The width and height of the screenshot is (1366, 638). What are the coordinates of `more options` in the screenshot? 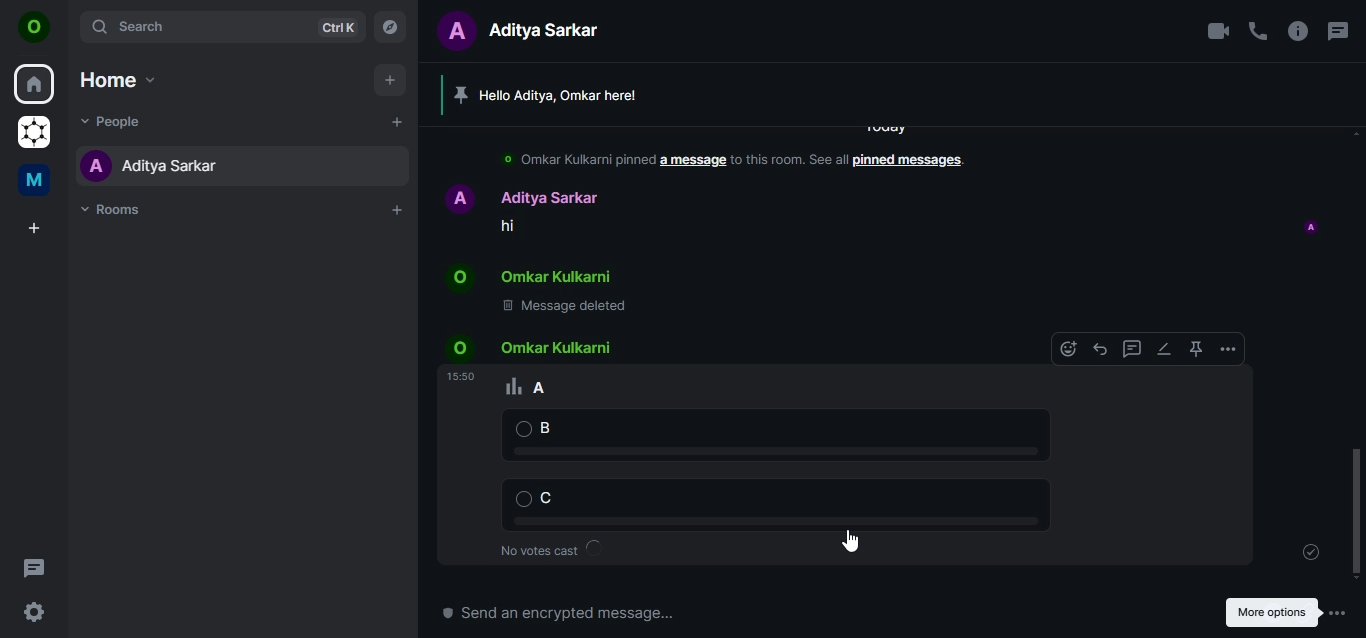 It's located at (1344, 613).